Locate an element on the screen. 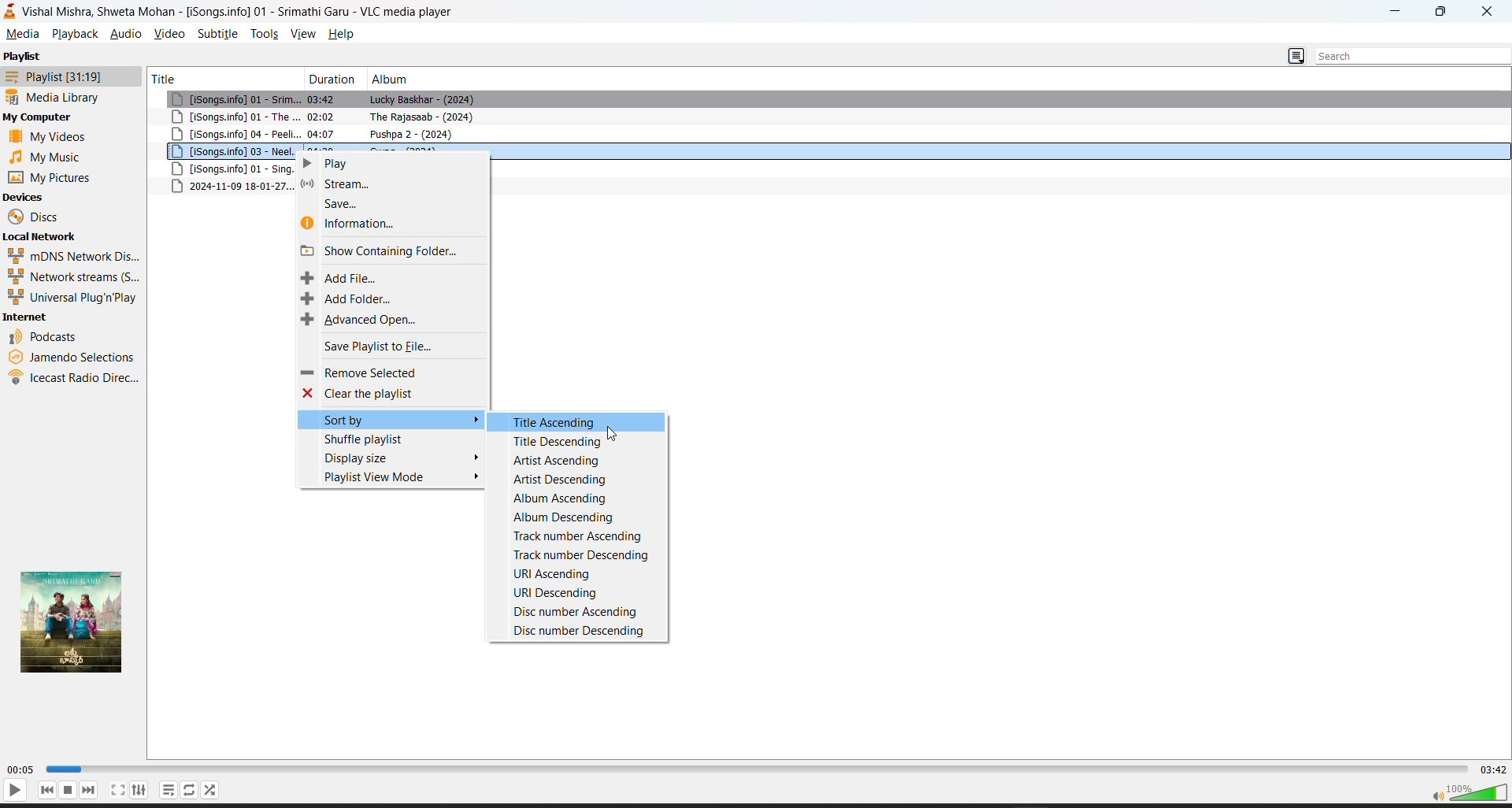 Image resolution: width=1512 pixels, height=808 pixels. tools is located at coordinates (265, 33).